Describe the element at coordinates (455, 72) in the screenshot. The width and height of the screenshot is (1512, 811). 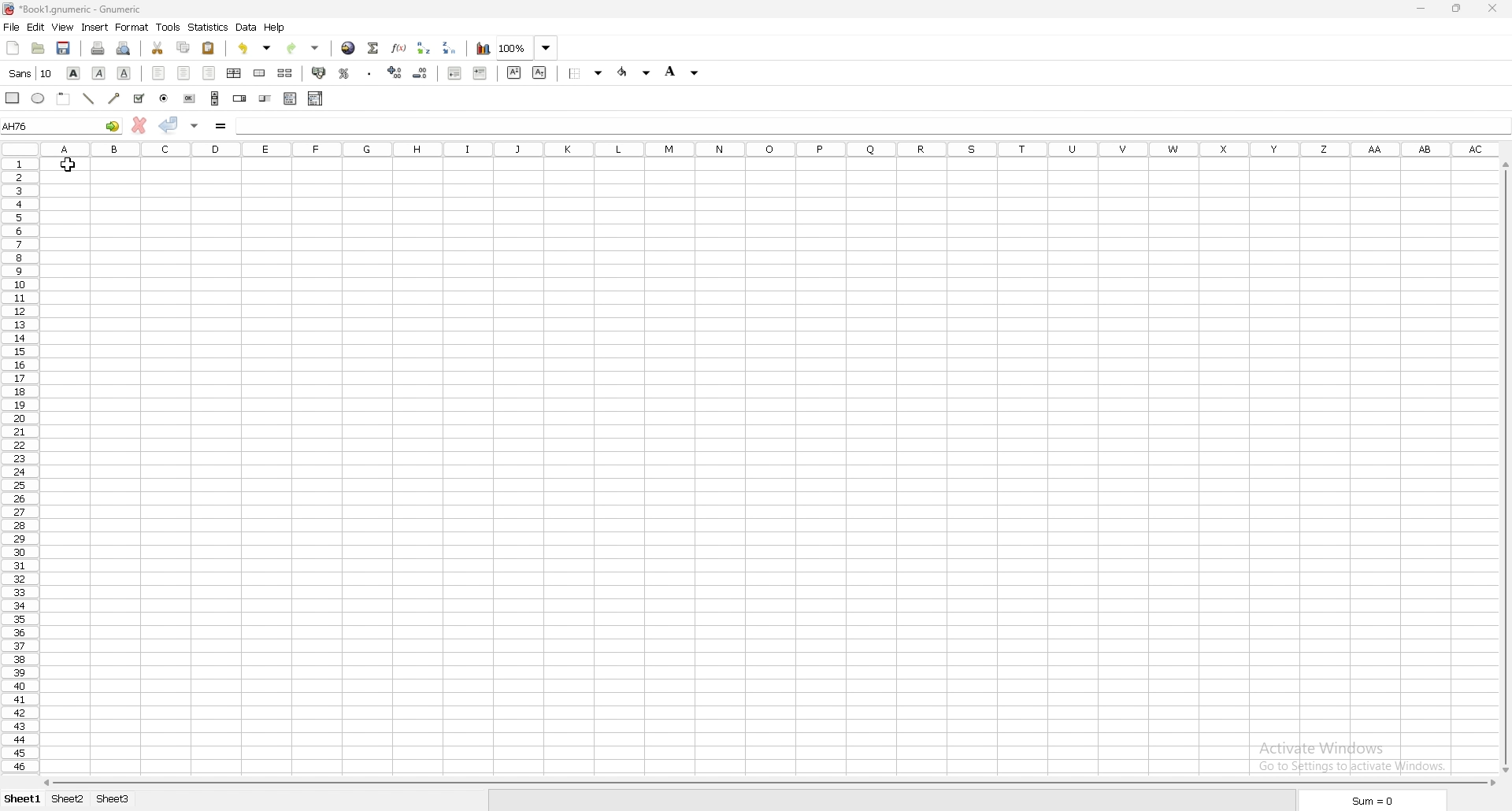
I see `decrease indent` at that location.